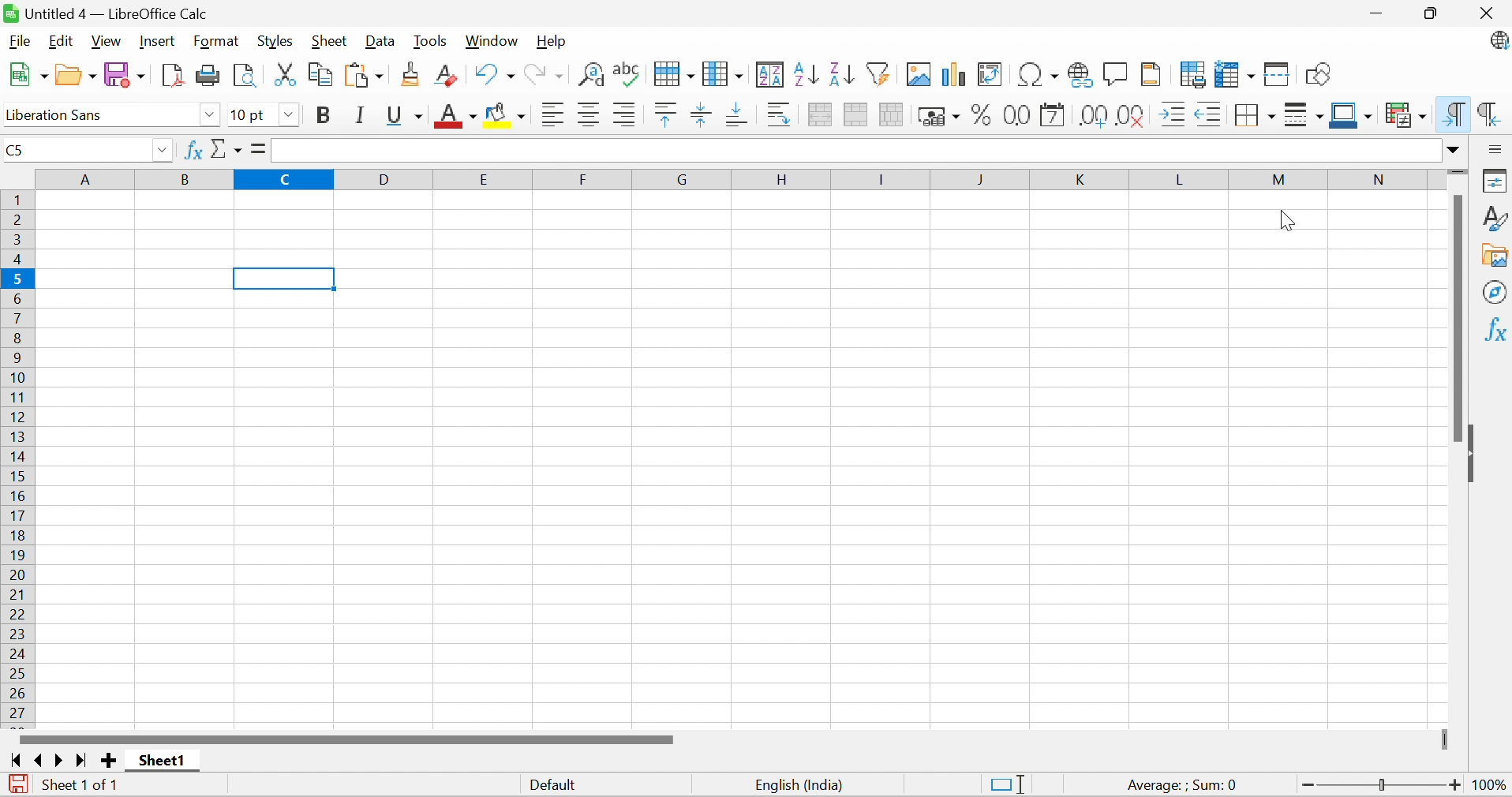  Describe the element at coordinates (672, 73) in the screenshot. I see `Row` at that location.